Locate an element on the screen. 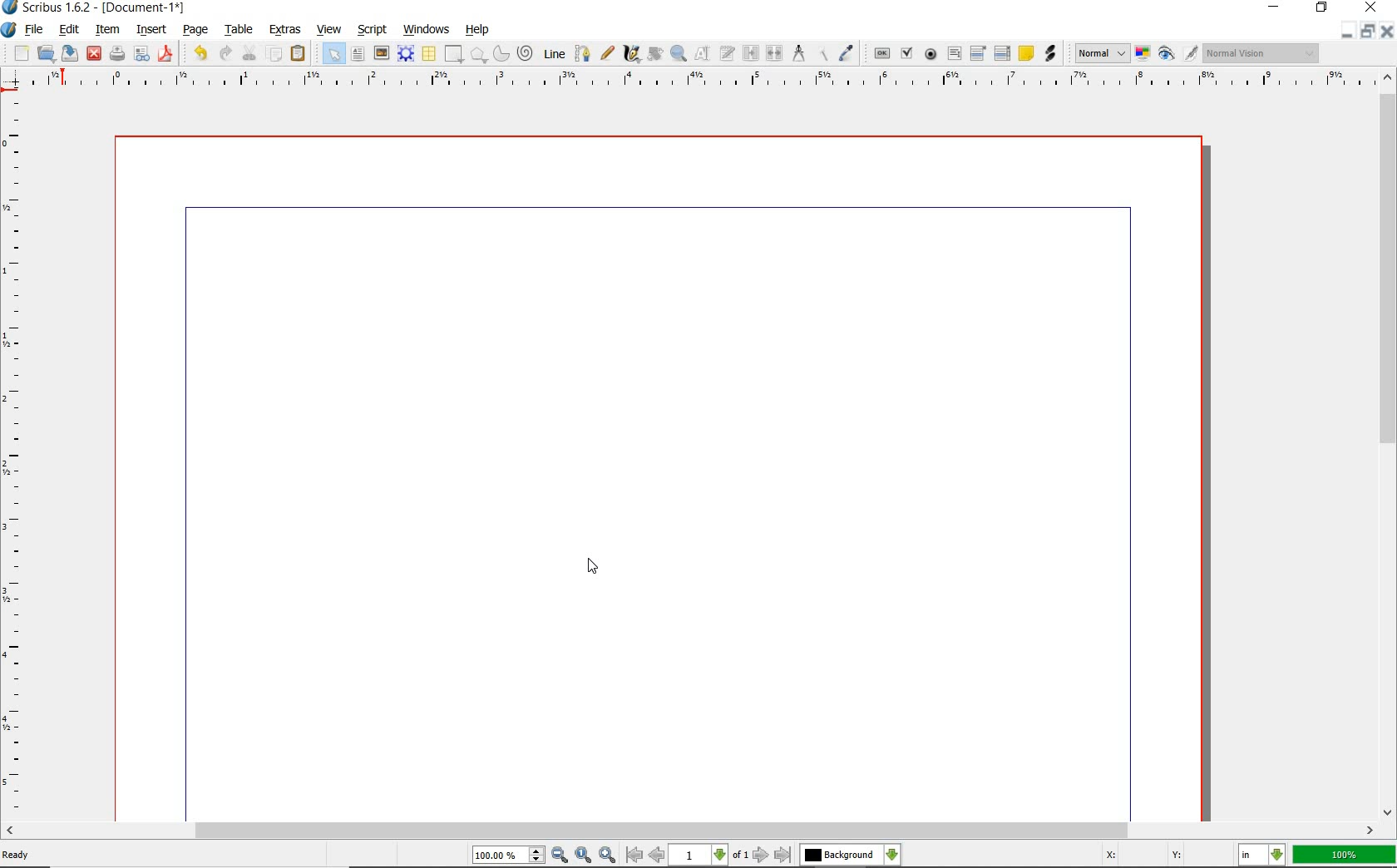  edit is located at coordinates (71, 29).